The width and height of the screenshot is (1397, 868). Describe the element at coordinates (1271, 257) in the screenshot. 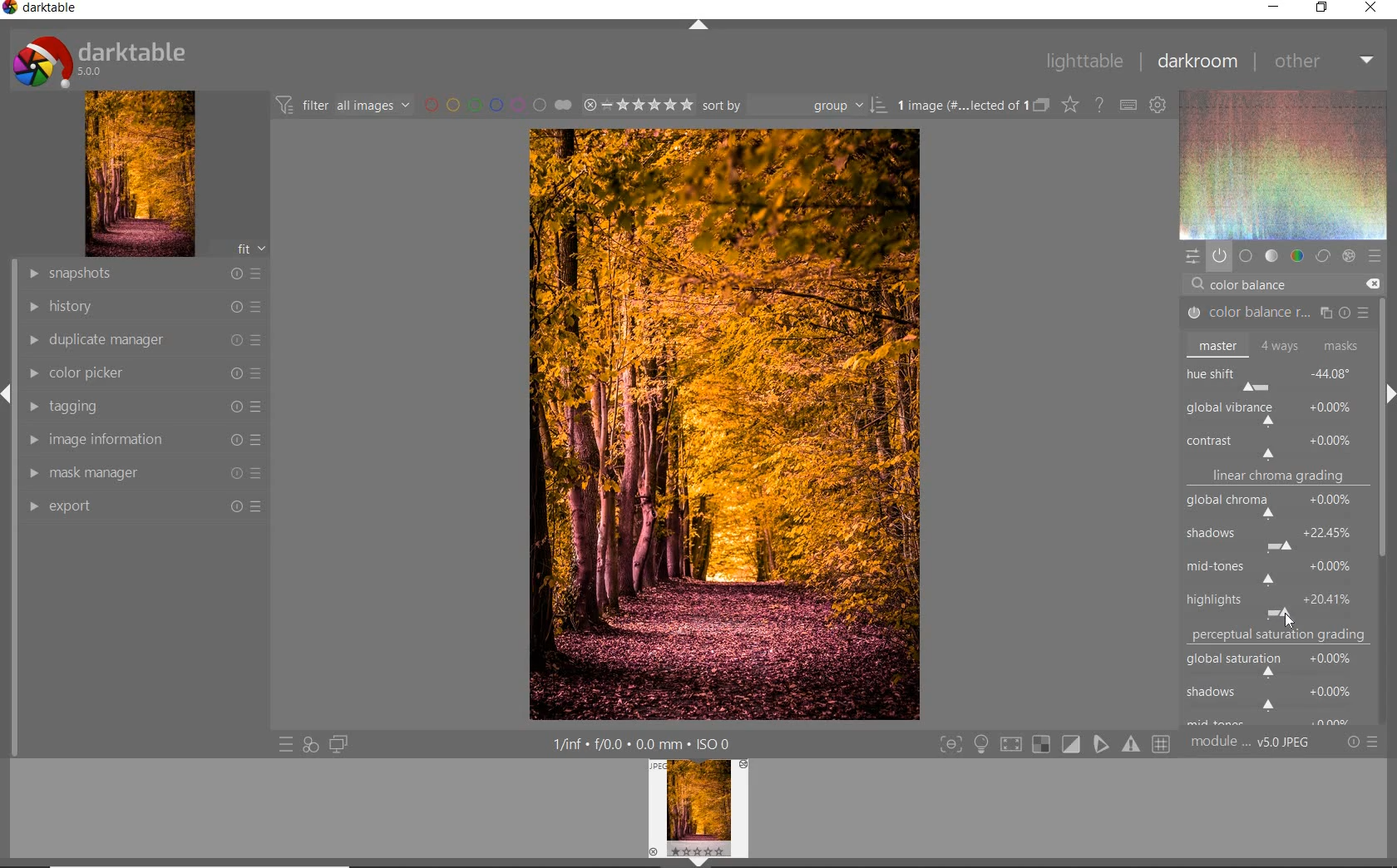

I see `tone` at that location.